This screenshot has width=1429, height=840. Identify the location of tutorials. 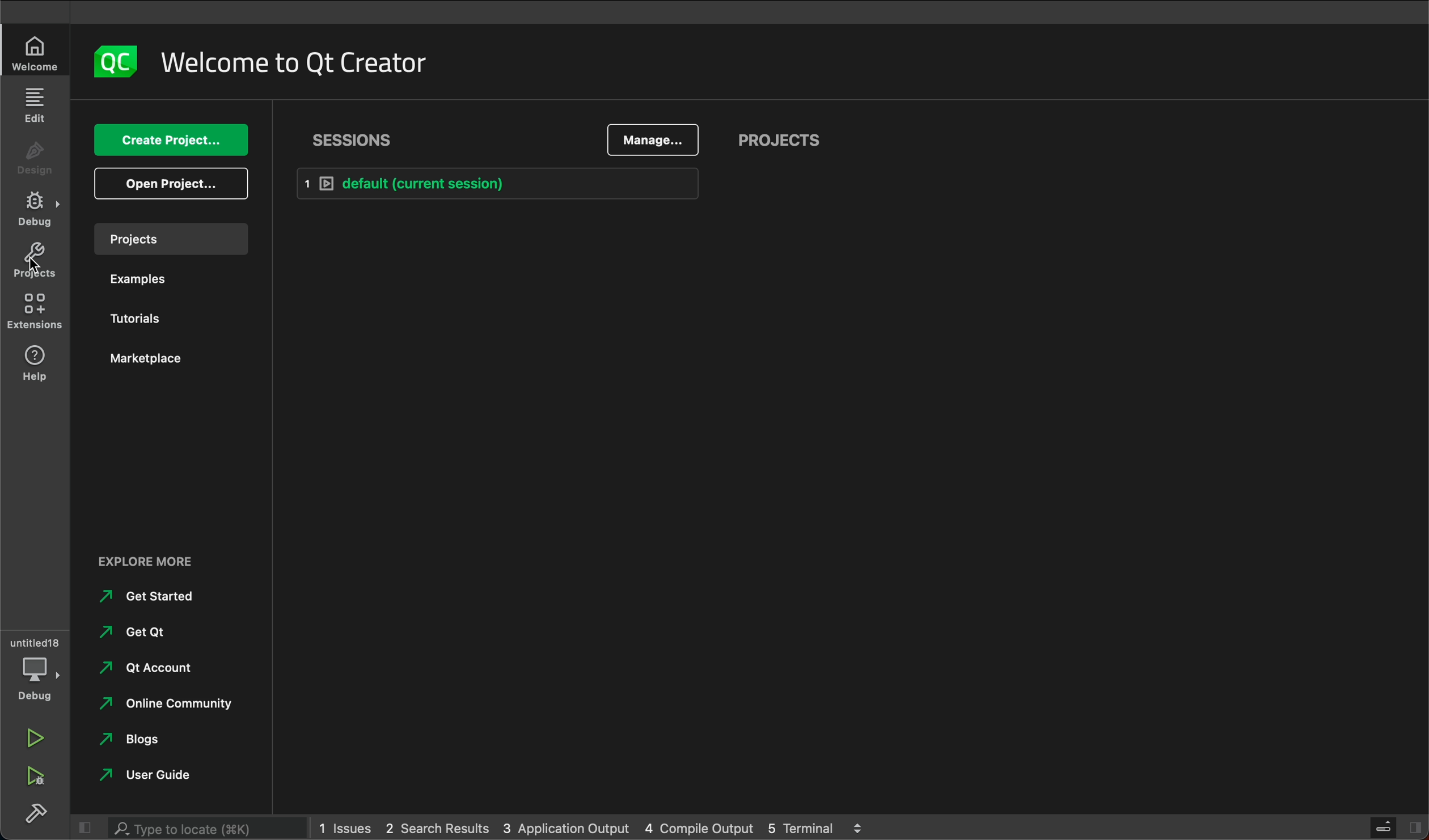
(160, 319).